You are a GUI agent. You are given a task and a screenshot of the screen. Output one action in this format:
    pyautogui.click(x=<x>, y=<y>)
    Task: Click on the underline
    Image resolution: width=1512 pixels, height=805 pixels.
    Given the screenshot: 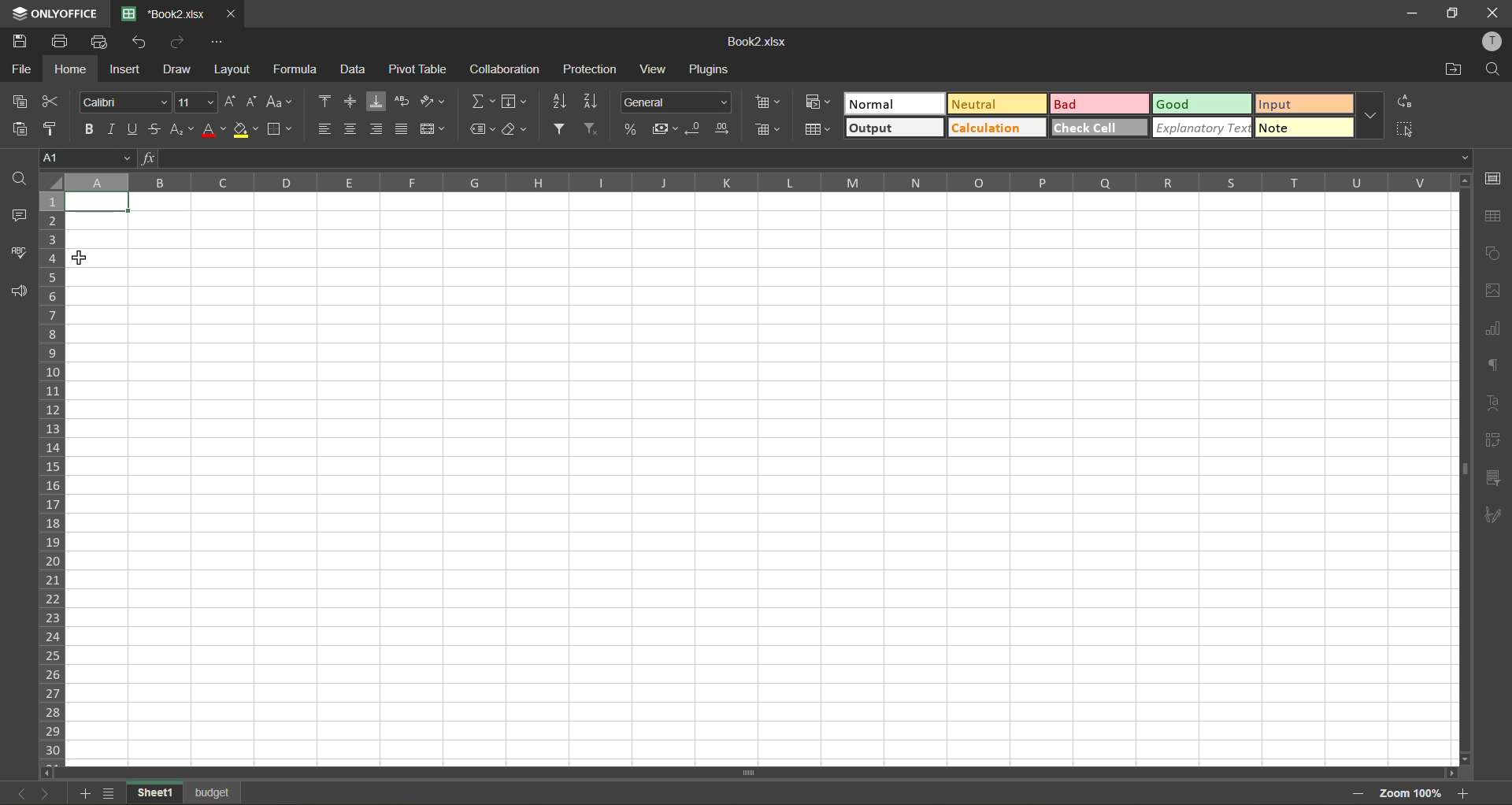 What is the action you would take?
    pyautogui.click(x=135, y=127)
    